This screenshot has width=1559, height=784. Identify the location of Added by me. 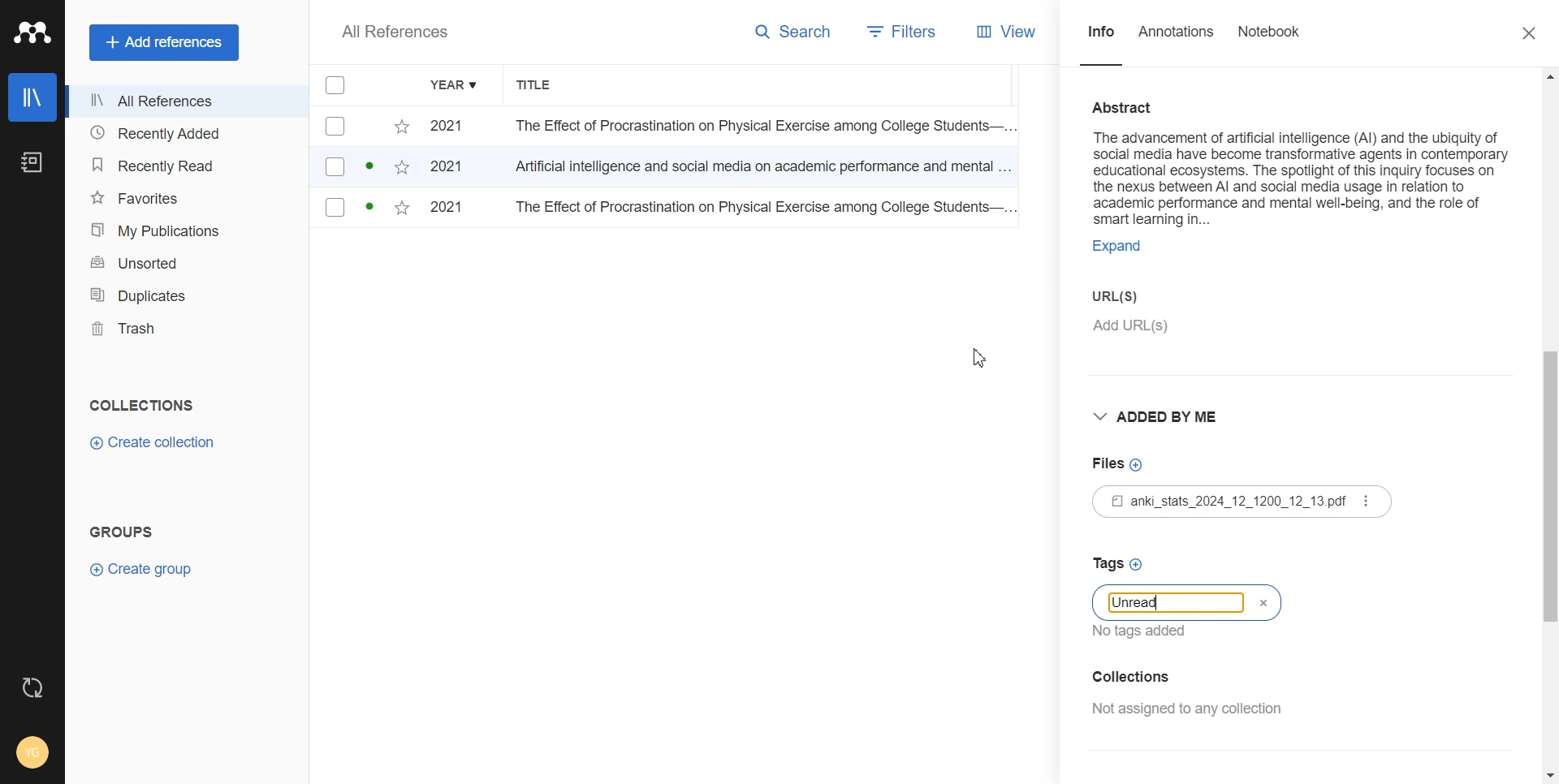
(1159, 414).